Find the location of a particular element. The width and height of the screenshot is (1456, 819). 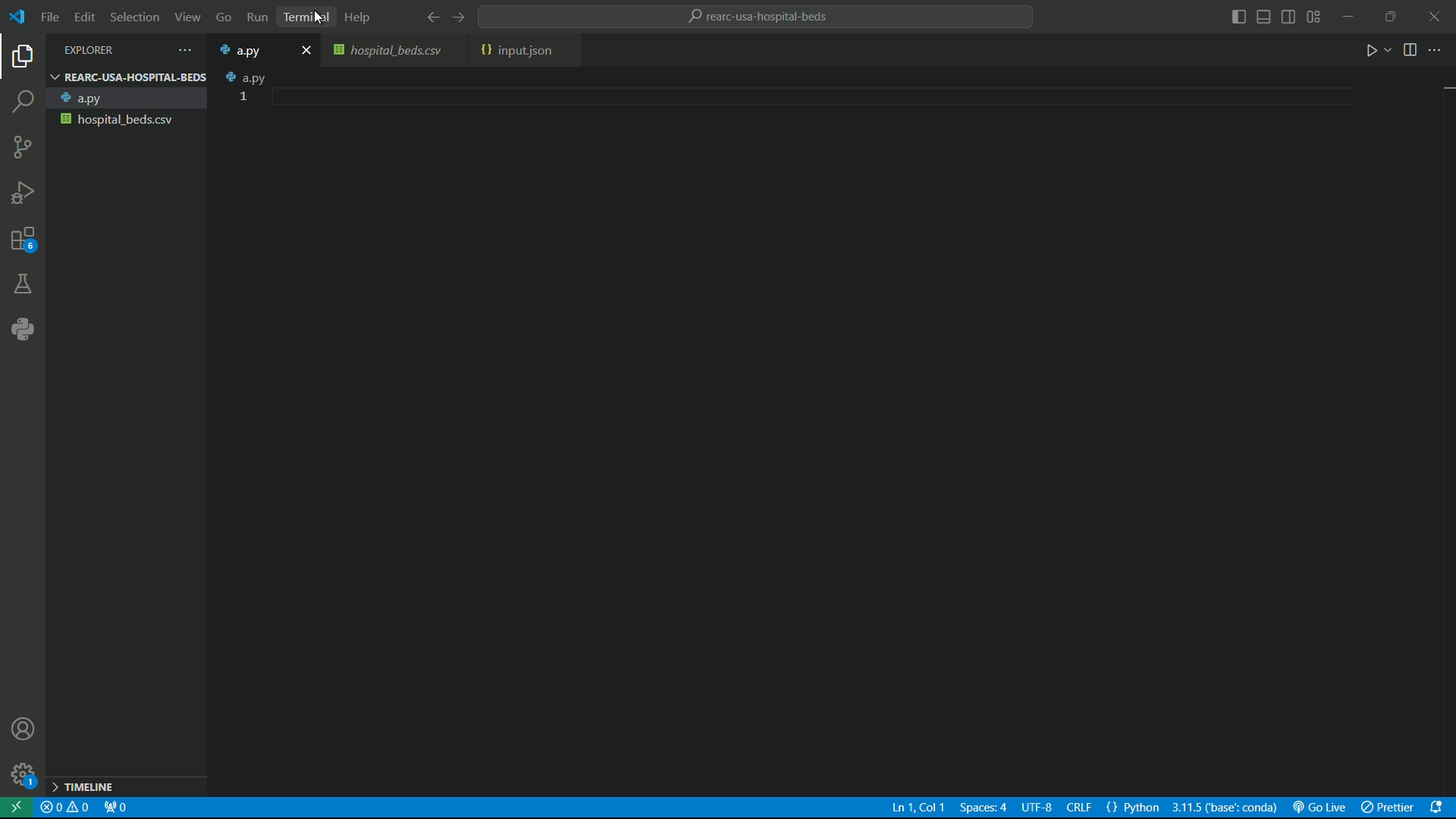

select language mode is located at coordinates (1134, 808).